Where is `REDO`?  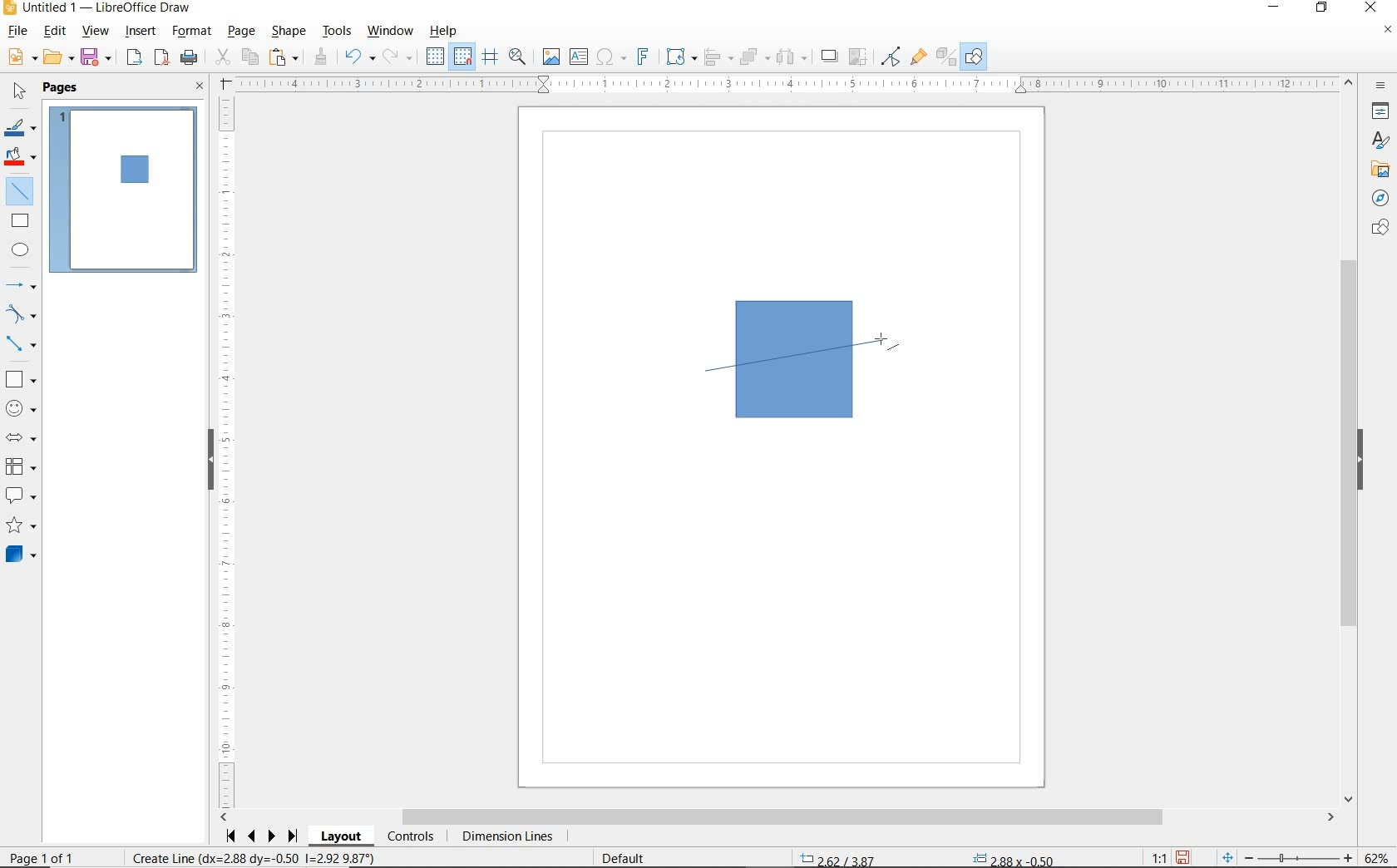
REDO is located at coordinates (402, 57).